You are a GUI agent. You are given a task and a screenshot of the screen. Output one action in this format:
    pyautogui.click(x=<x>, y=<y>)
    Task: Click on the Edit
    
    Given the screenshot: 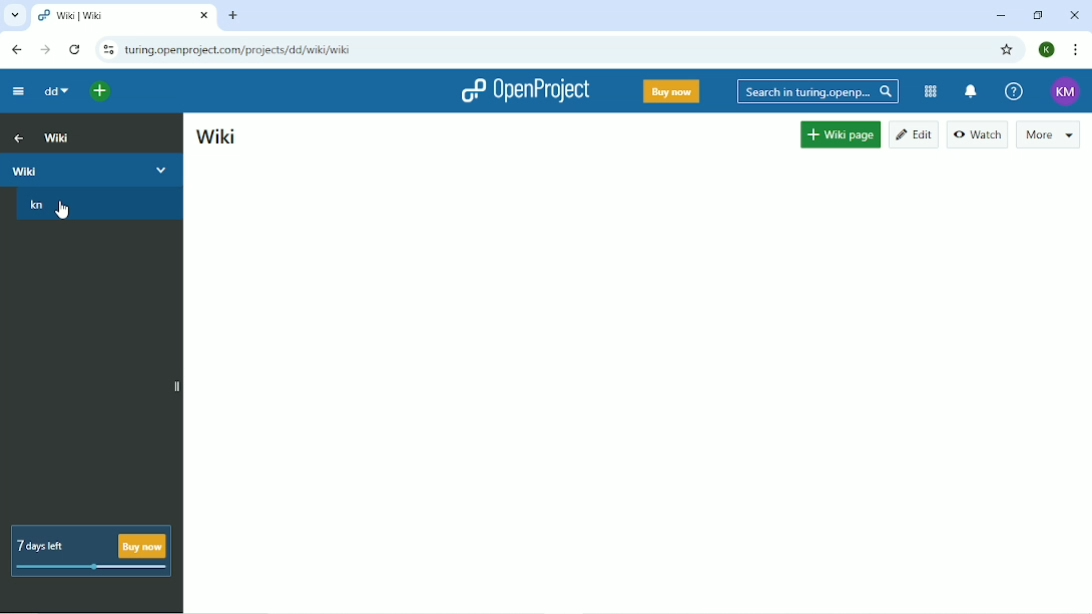 What is the action you would take?
    pyautogui.click(x=914, y=134)
    